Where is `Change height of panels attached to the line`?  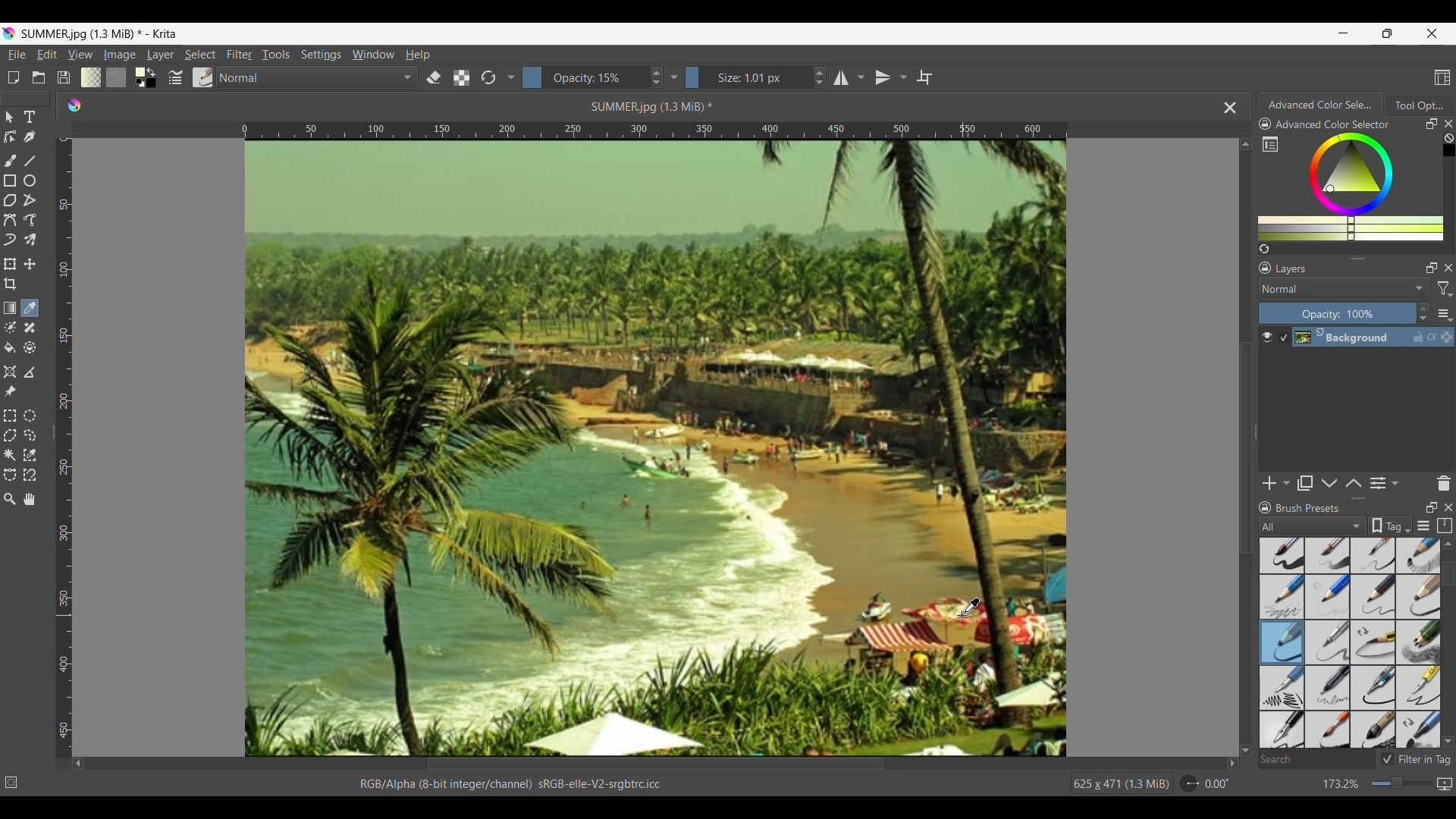 Change height of panels attached to the line is located at coordinates (1352, 258).